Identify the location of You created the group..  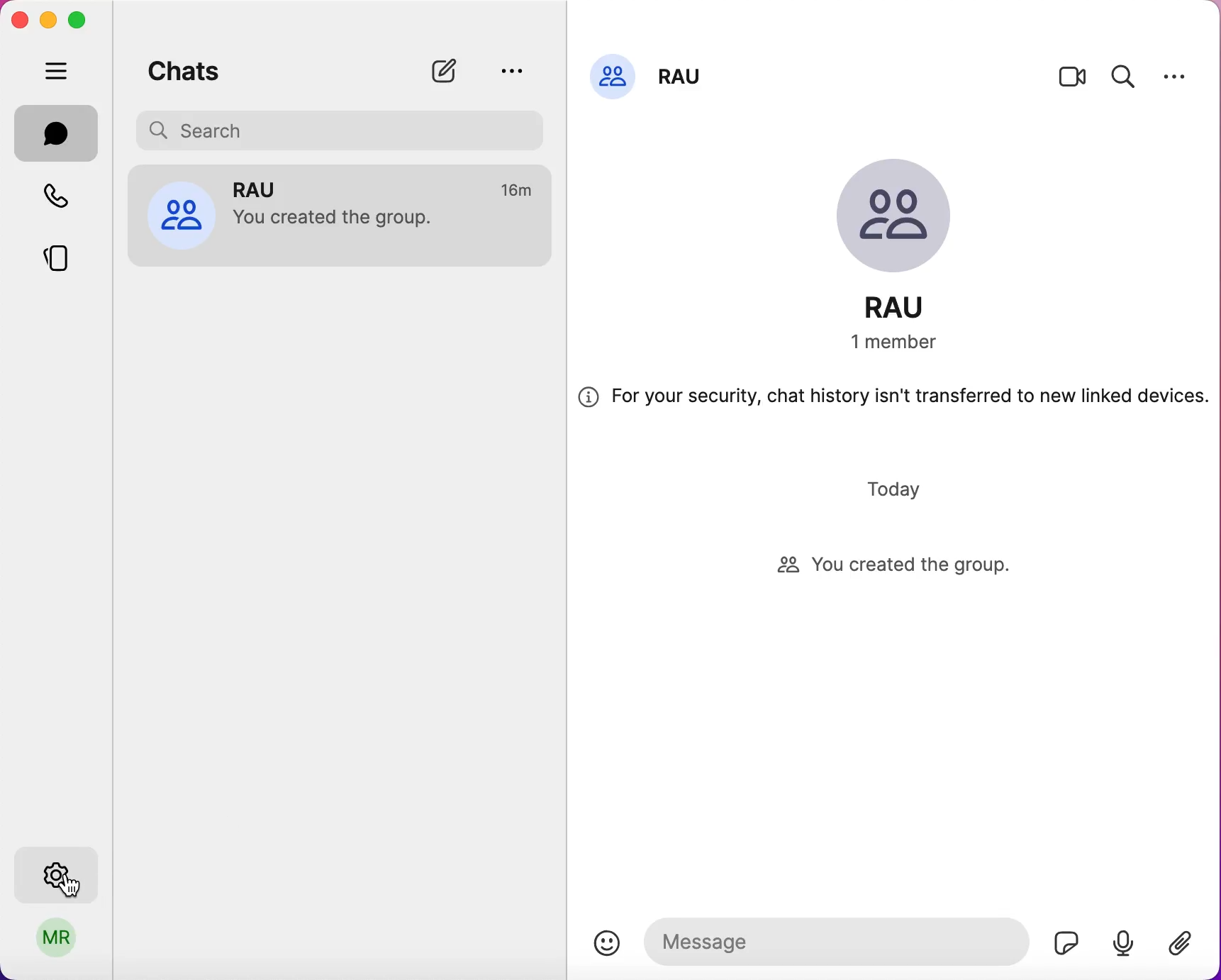
(342, 221).